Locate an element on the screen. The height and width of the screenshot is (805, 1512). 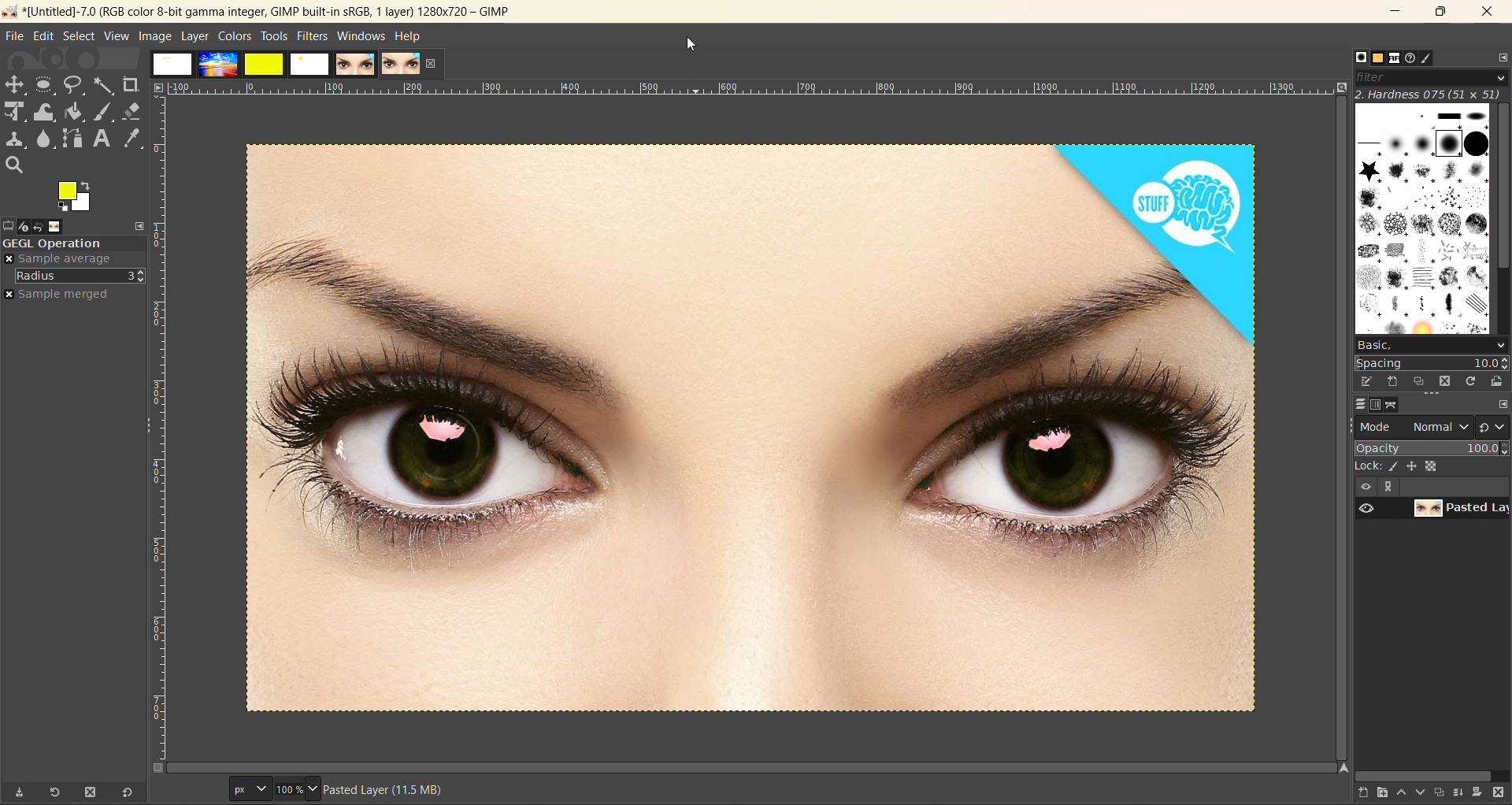
color picker tool is located at coordinates (134, 139).